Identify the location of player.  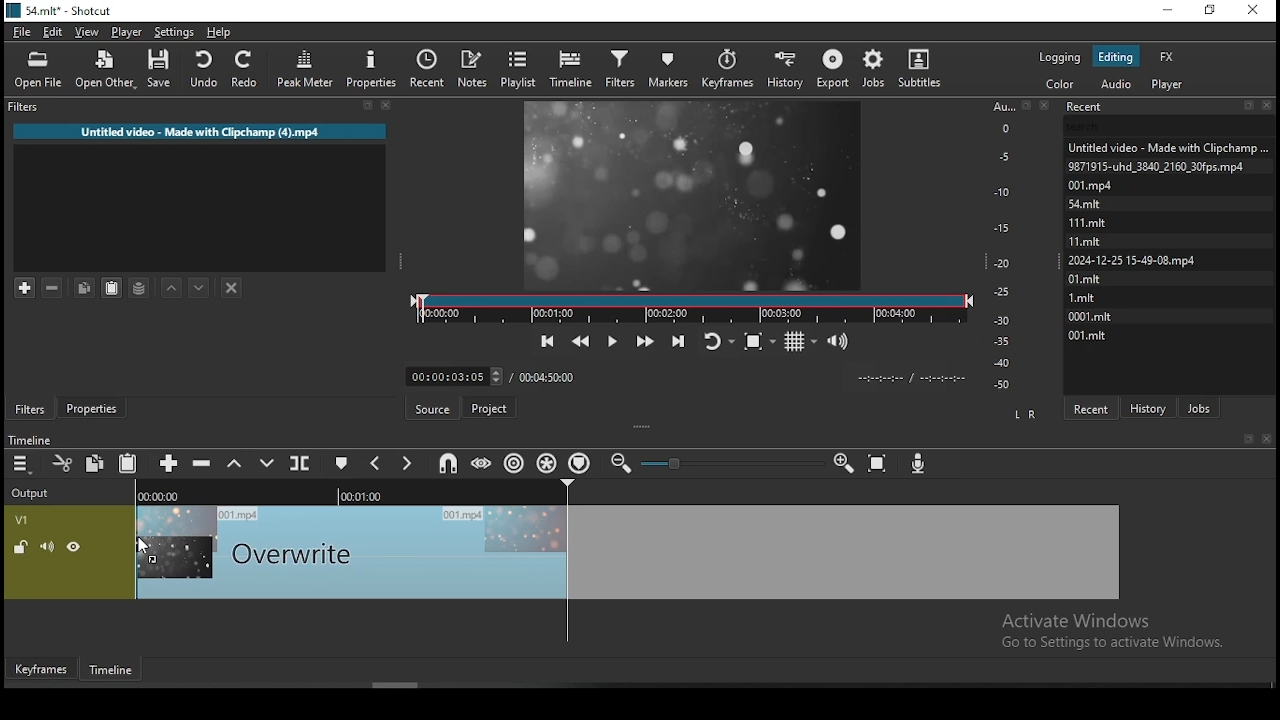
(127, 31).